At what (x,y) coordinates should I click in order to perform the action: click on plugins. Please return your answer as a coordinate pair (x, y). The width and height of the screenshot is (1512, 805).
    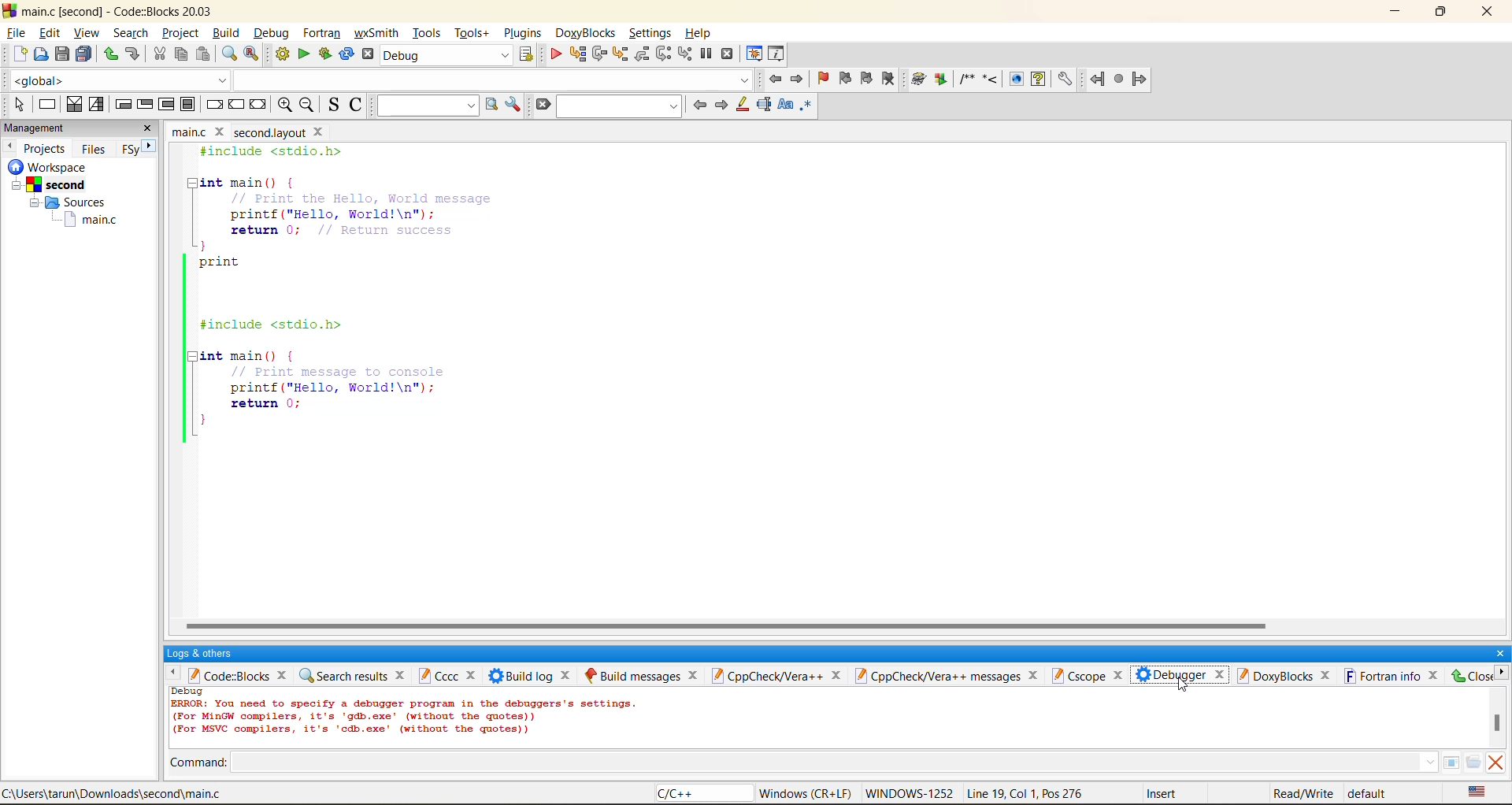
    Looking at the image, I should click on (524, 33).